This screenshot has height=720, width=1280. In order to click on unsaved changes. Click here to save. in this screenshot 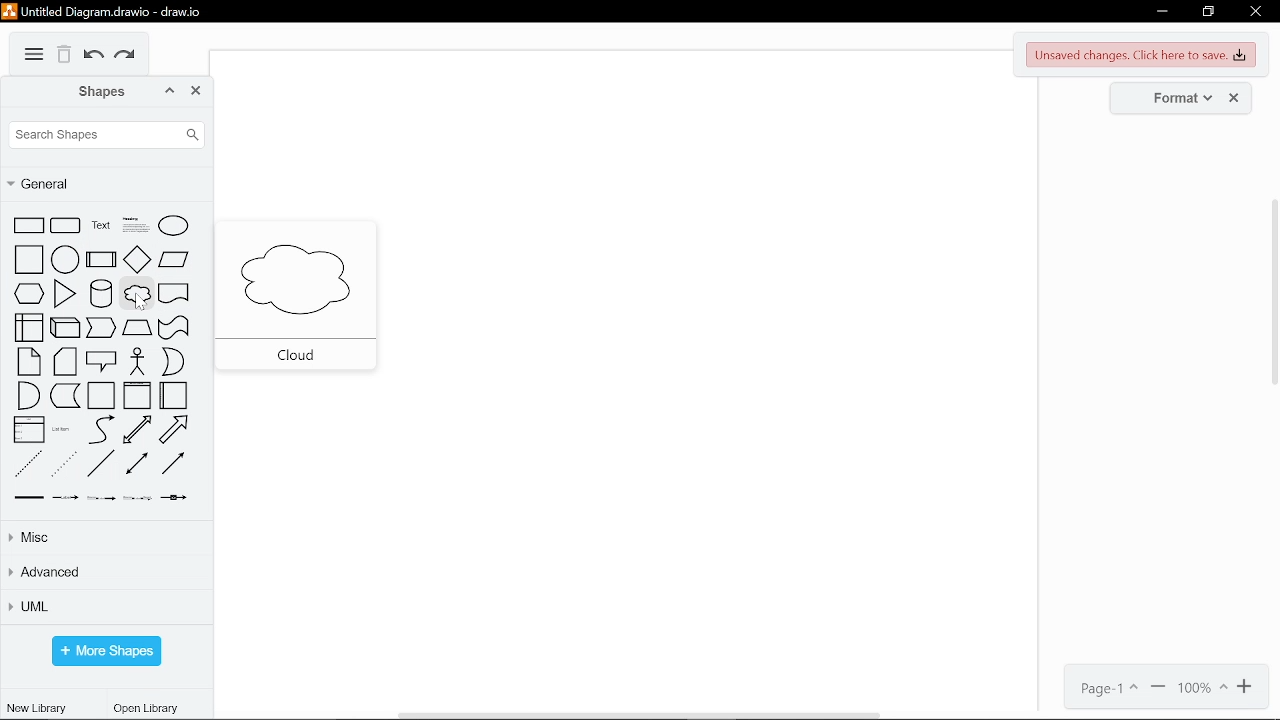, I will do `click(1141, 55)`.